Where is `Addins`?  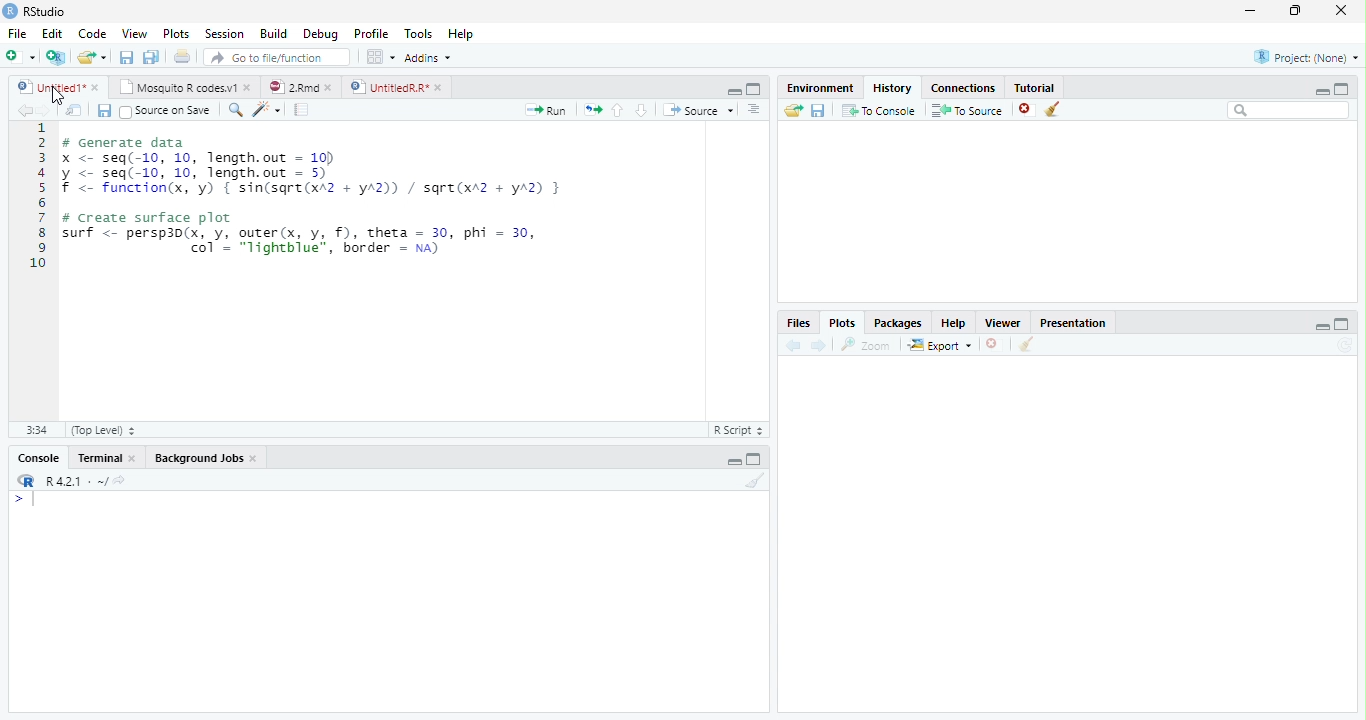
Addins is located at coordinates (428, 58).